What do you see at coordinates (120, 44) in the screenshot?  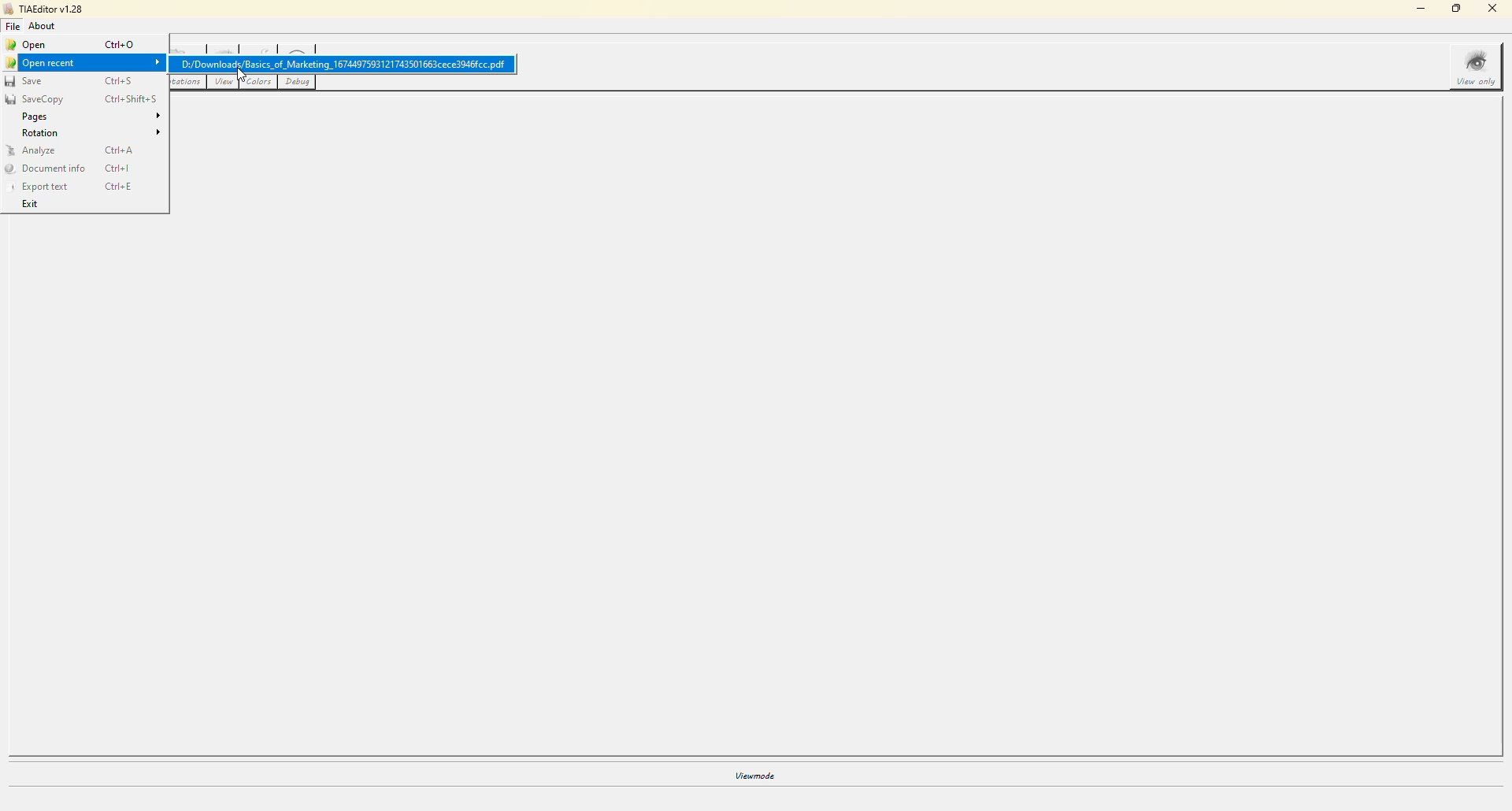 I see `ctrl+o` at bounding box center [120, 44].